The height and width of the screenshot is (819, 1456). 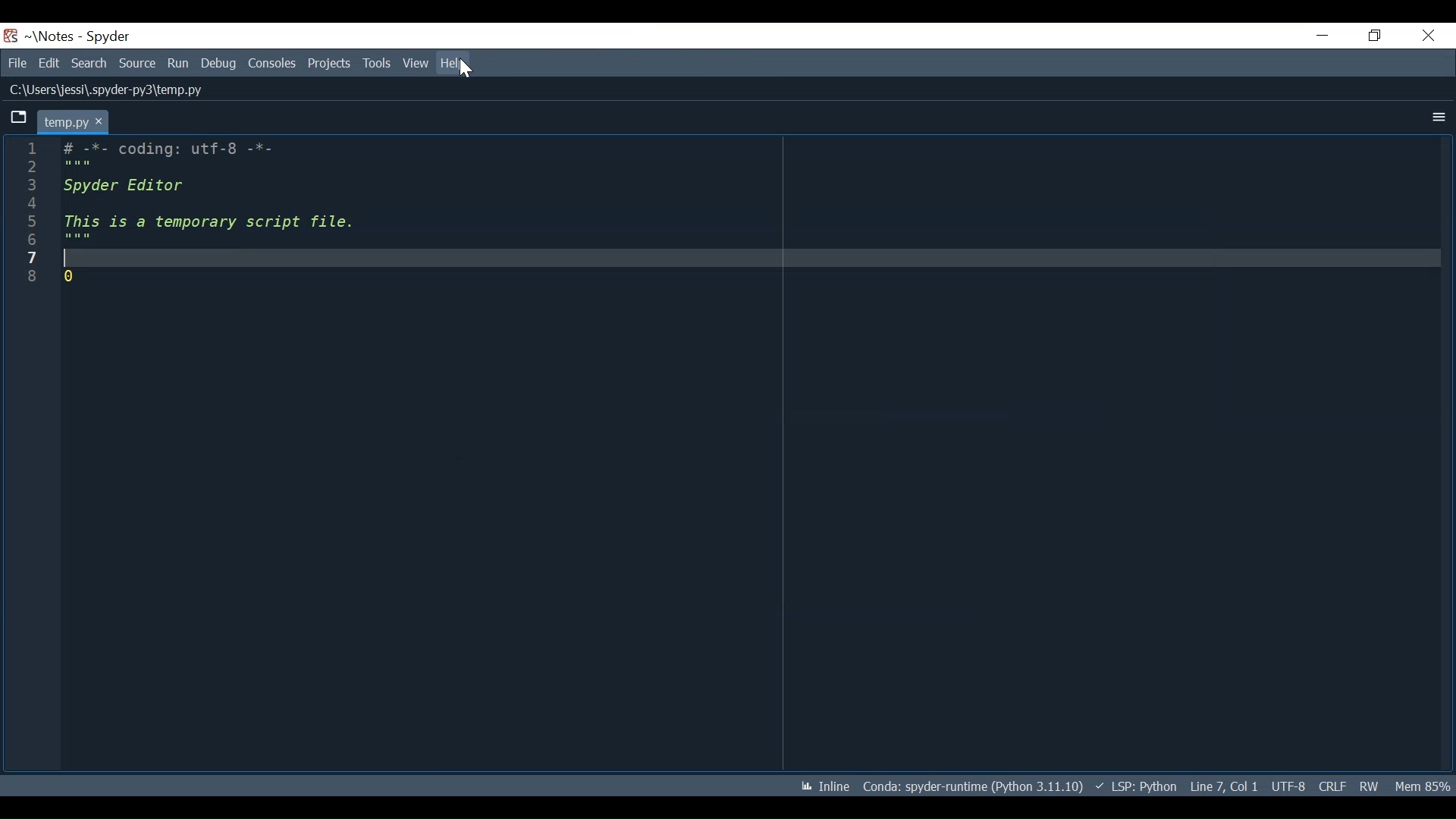 What do you see at coordinates (55, 36) in the screenshot?
I see `Projects Name` at bounding box center [55, 36].